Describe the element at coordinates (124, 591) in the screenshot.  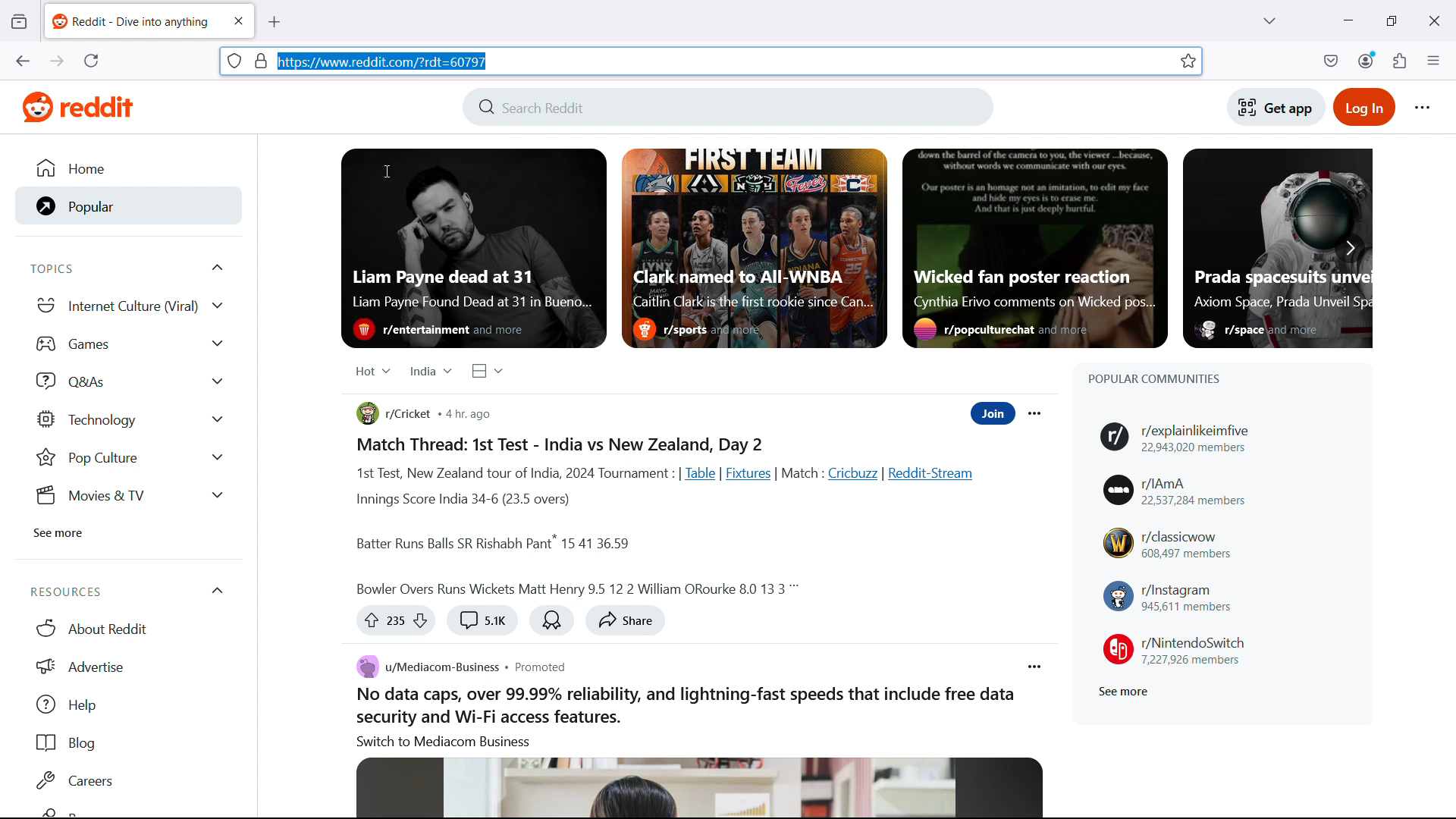
I see `Resources` at that location.